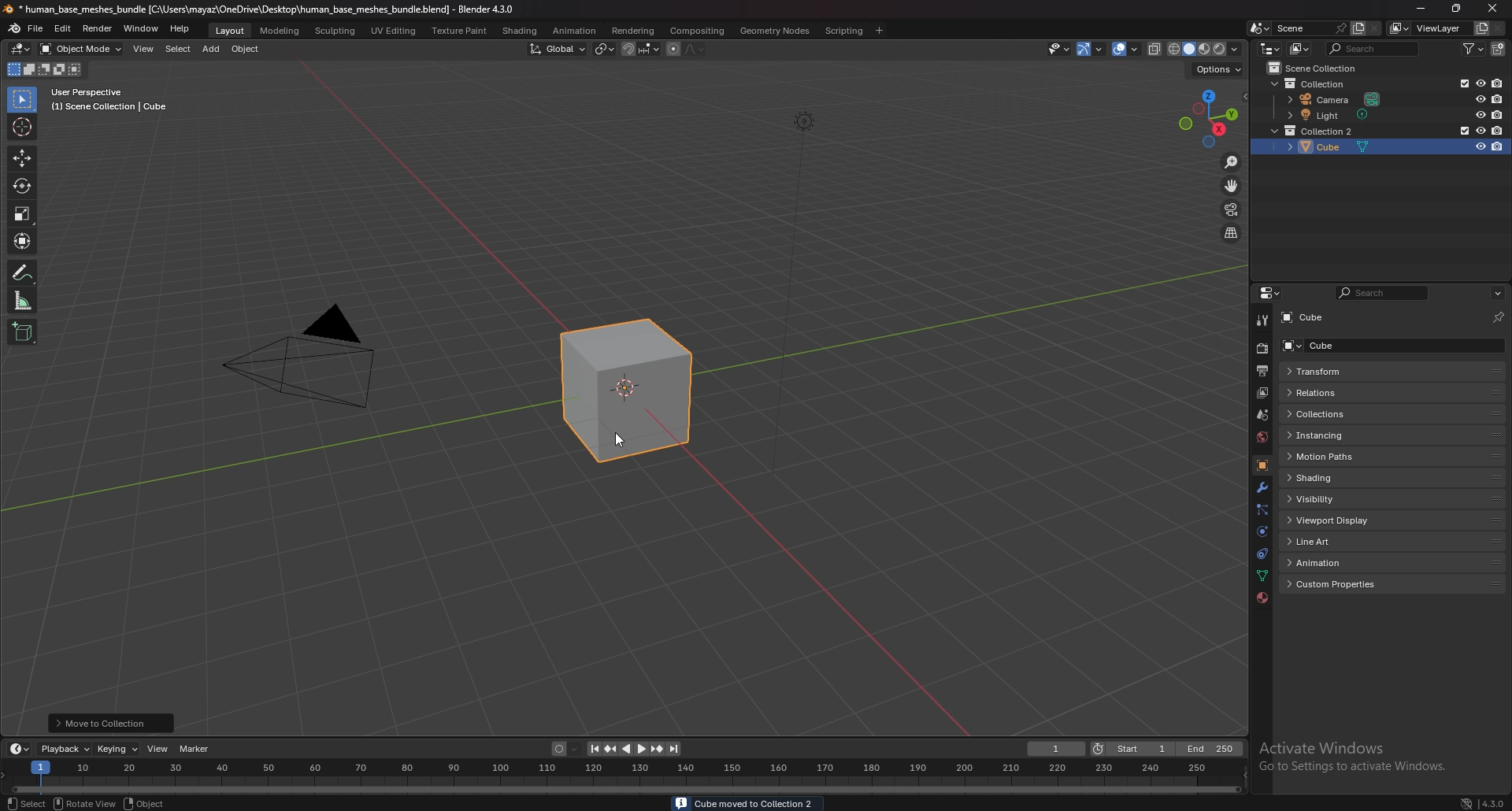 The height and width of the screenshot is (811, 1512). I want to click on rendering, so click(633, 31).